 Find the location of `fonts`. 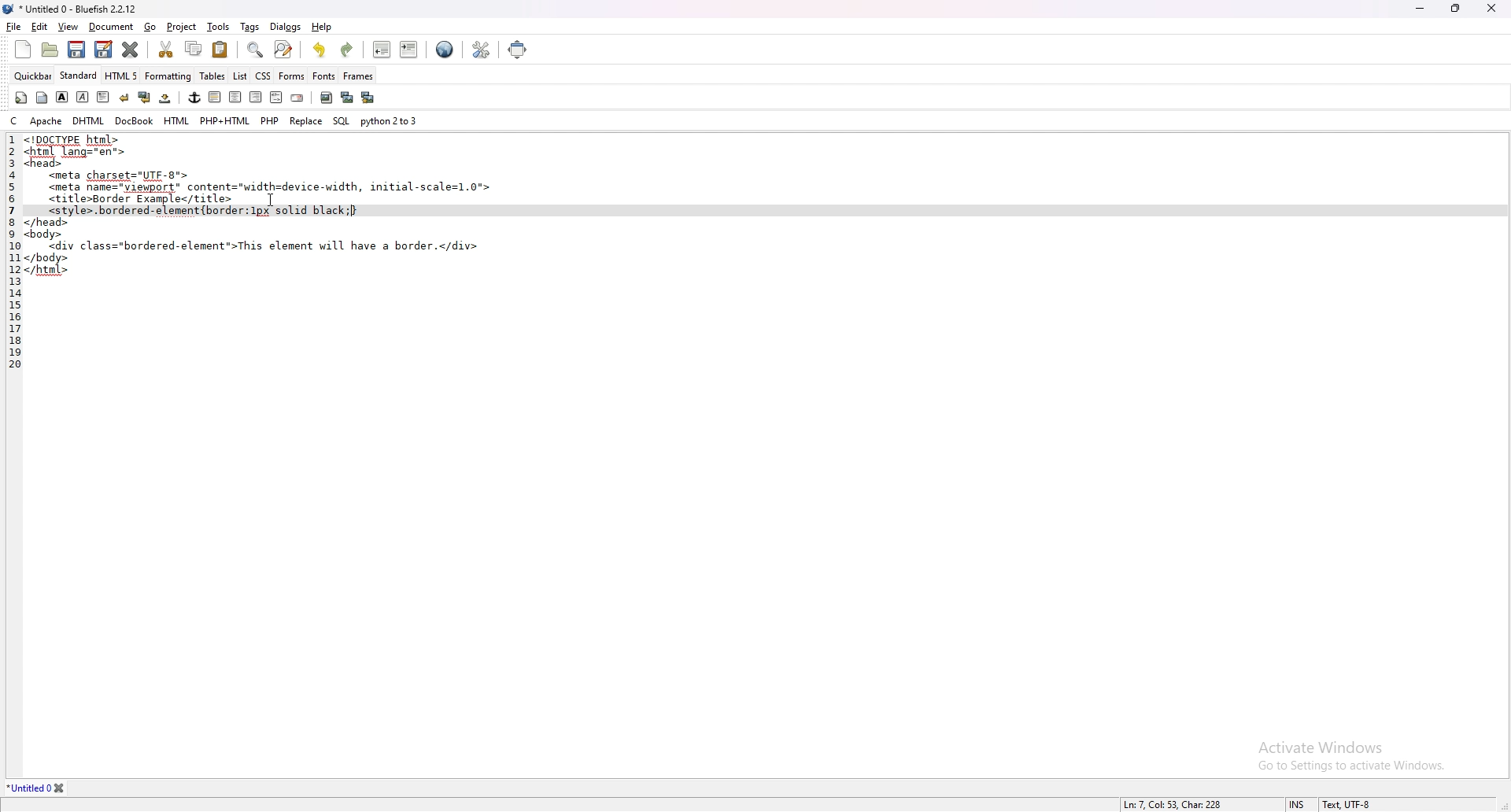

fonts is located at coordinates (323, 76).